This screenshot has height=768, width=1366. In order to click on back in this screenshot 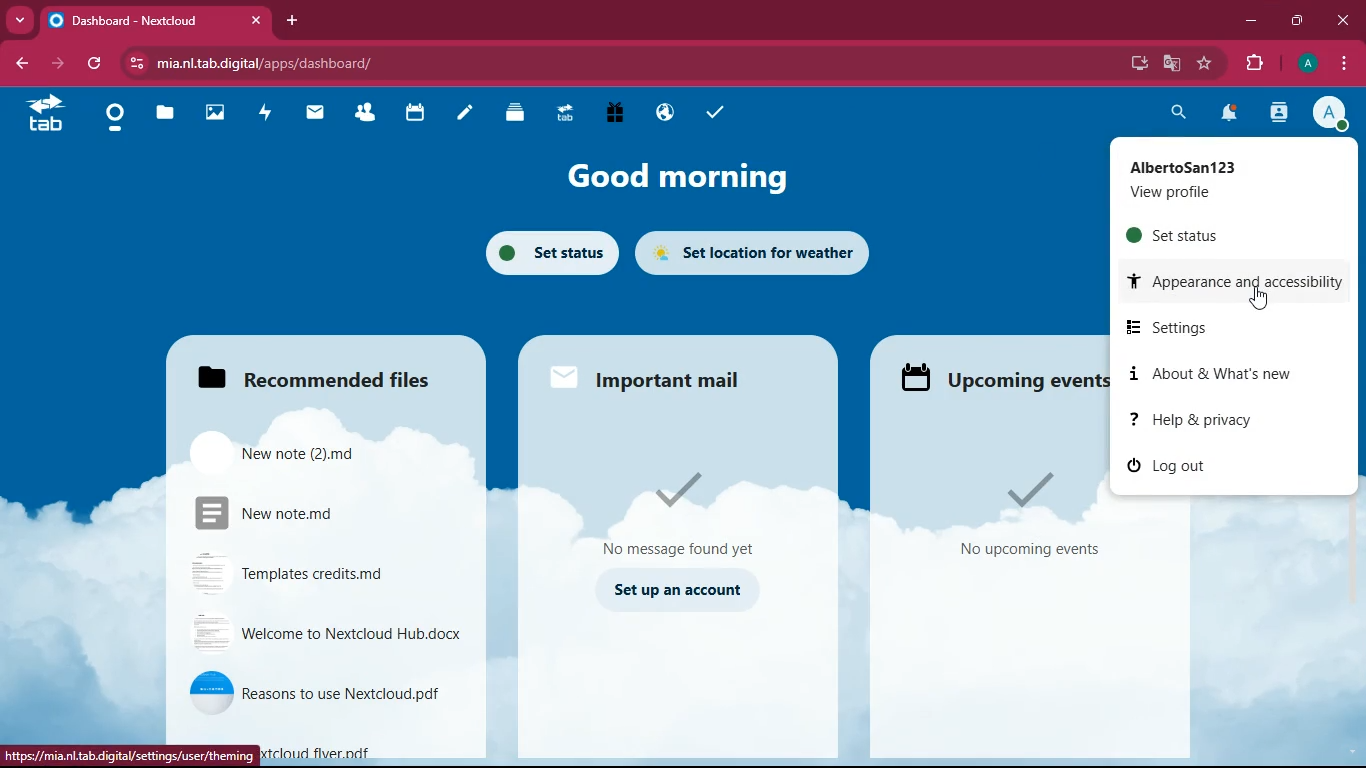, I will do `click(22, 64)`.